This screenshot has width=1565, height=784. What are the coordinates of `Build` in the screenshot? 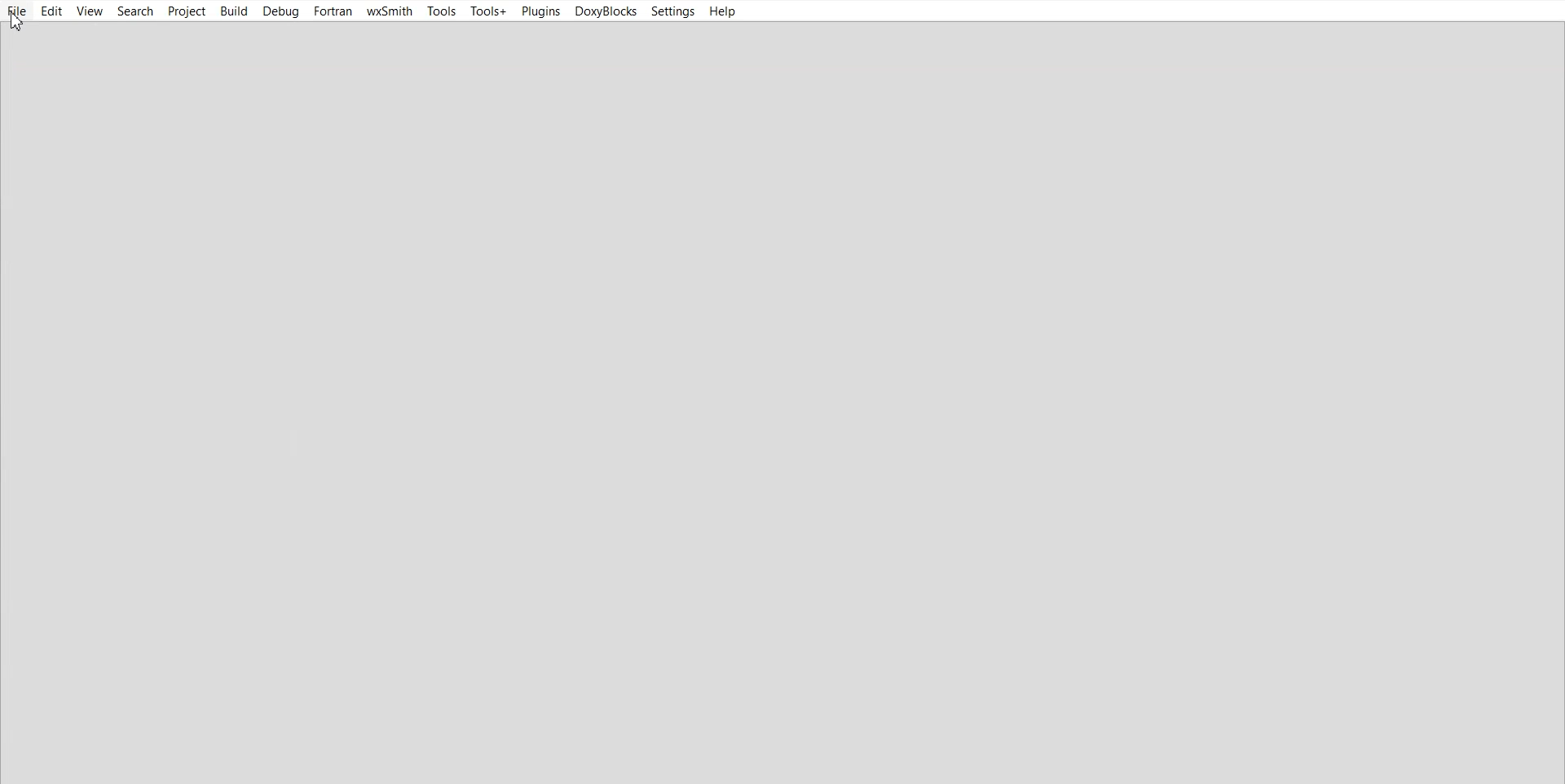 It's located at (234, 11).